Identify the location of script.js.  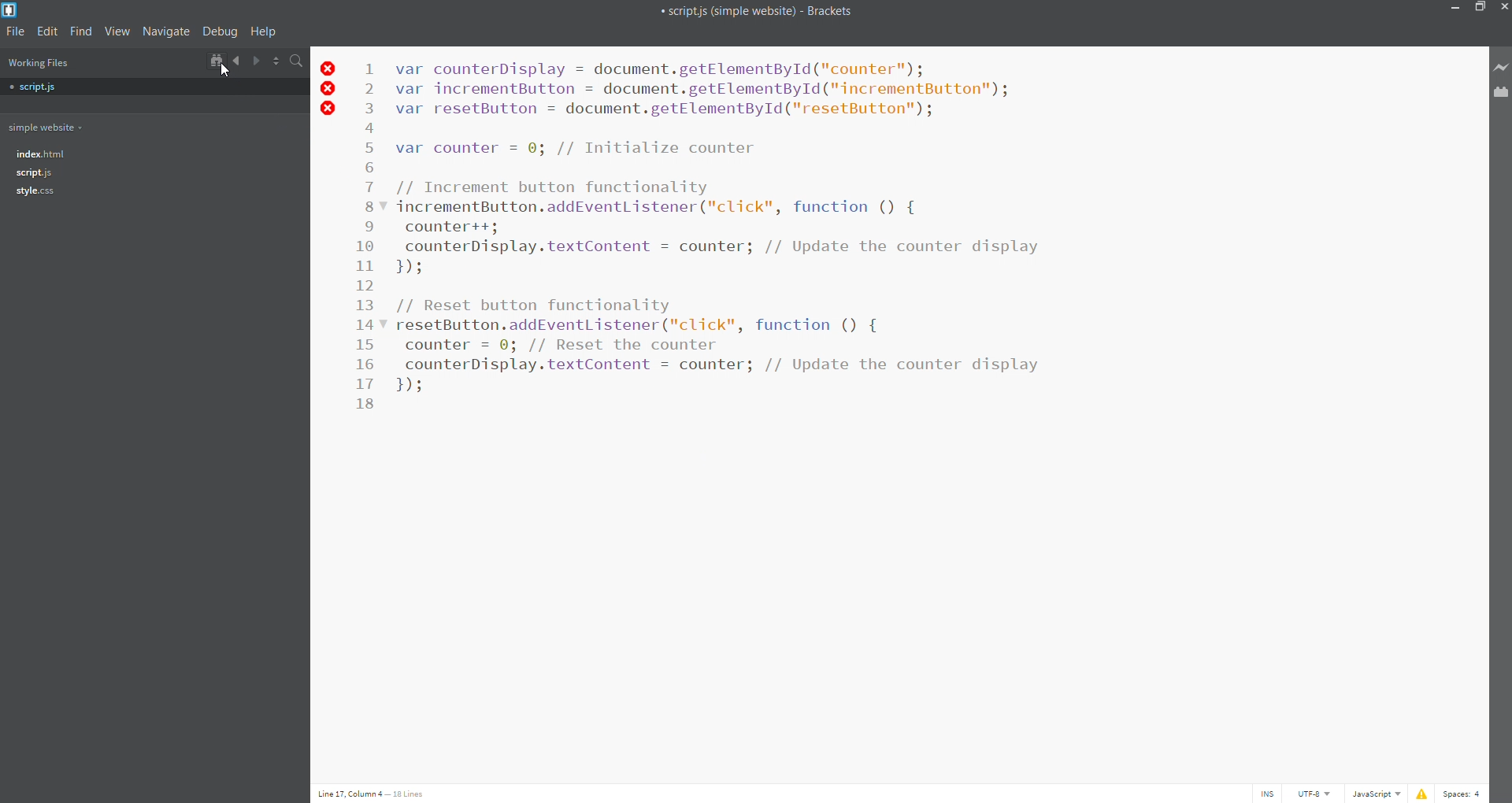
(58, 87).